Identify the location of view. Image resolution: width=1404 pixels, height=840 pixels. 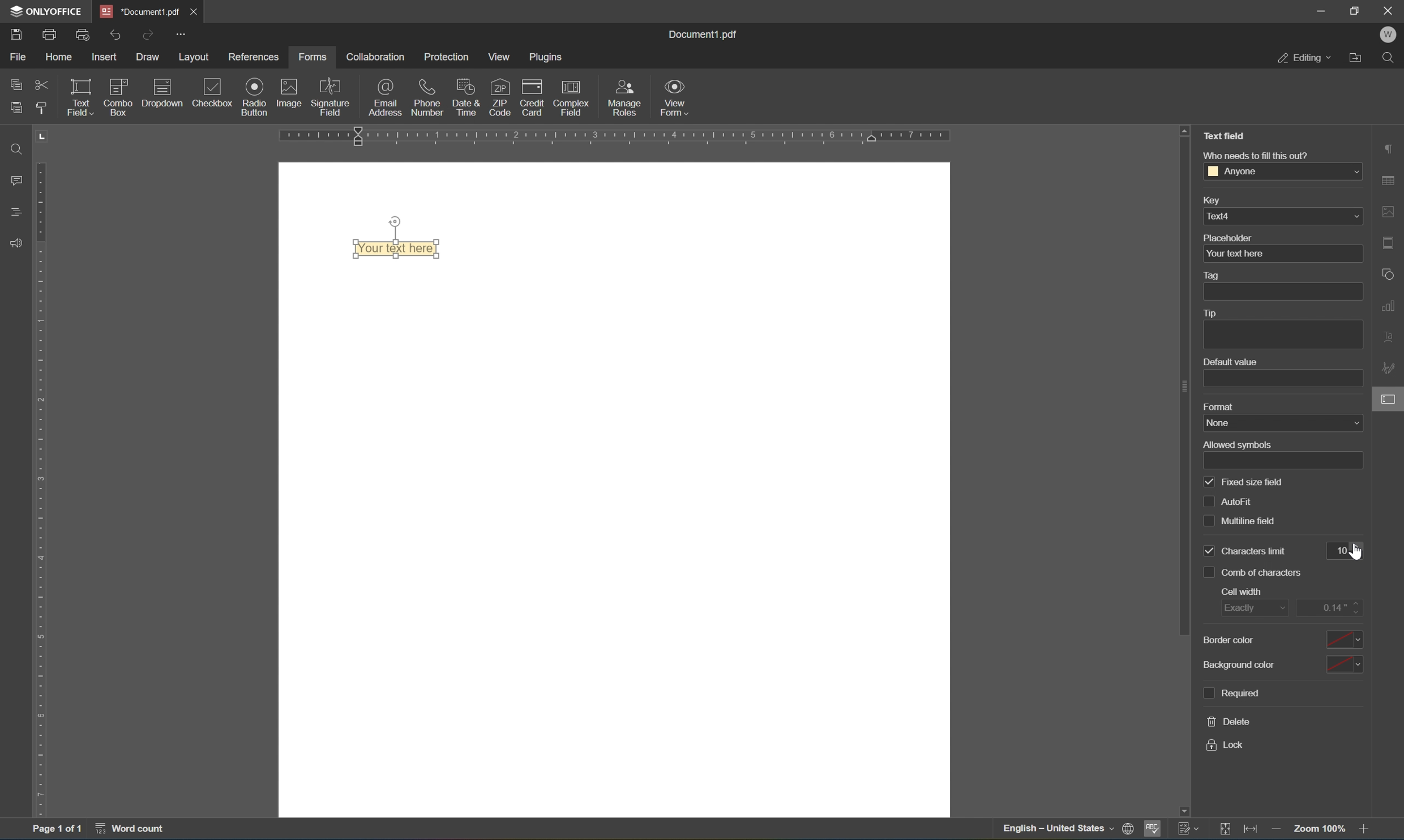
(497, 54).